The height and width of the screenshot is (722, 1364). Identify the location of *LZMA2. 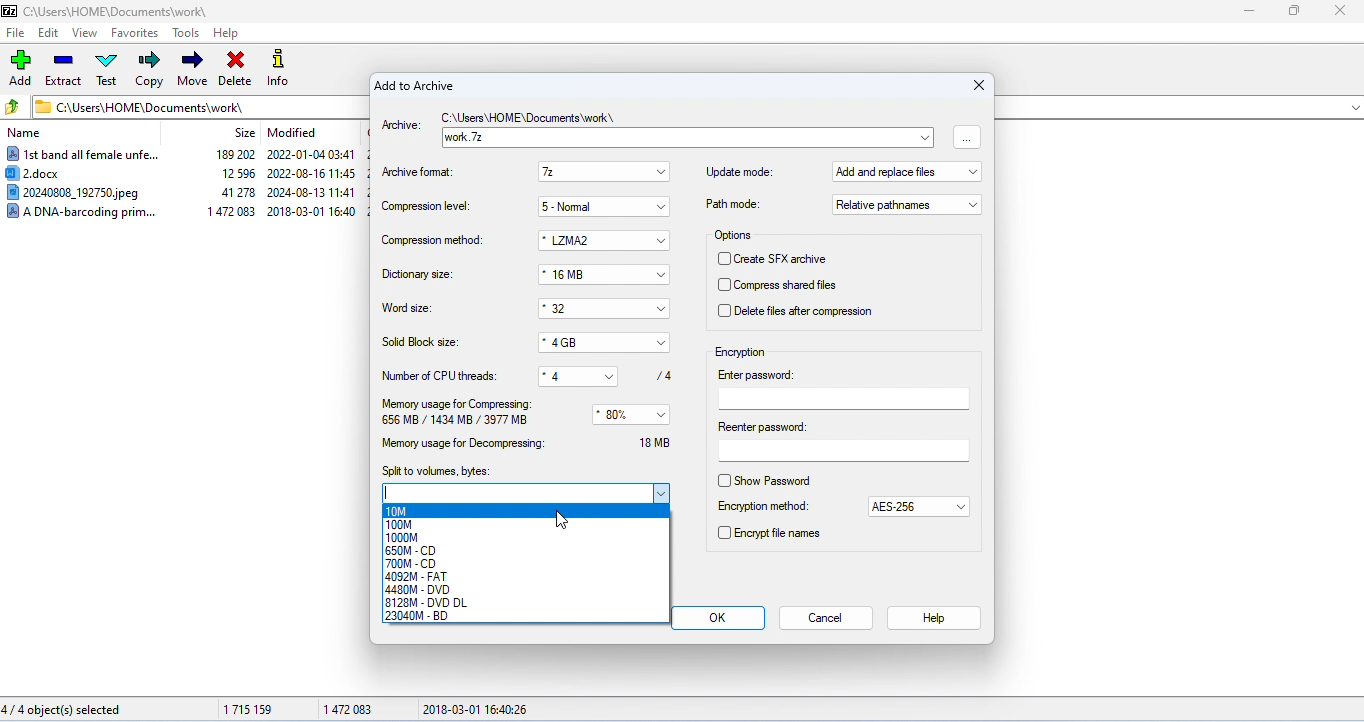
(588, 241).